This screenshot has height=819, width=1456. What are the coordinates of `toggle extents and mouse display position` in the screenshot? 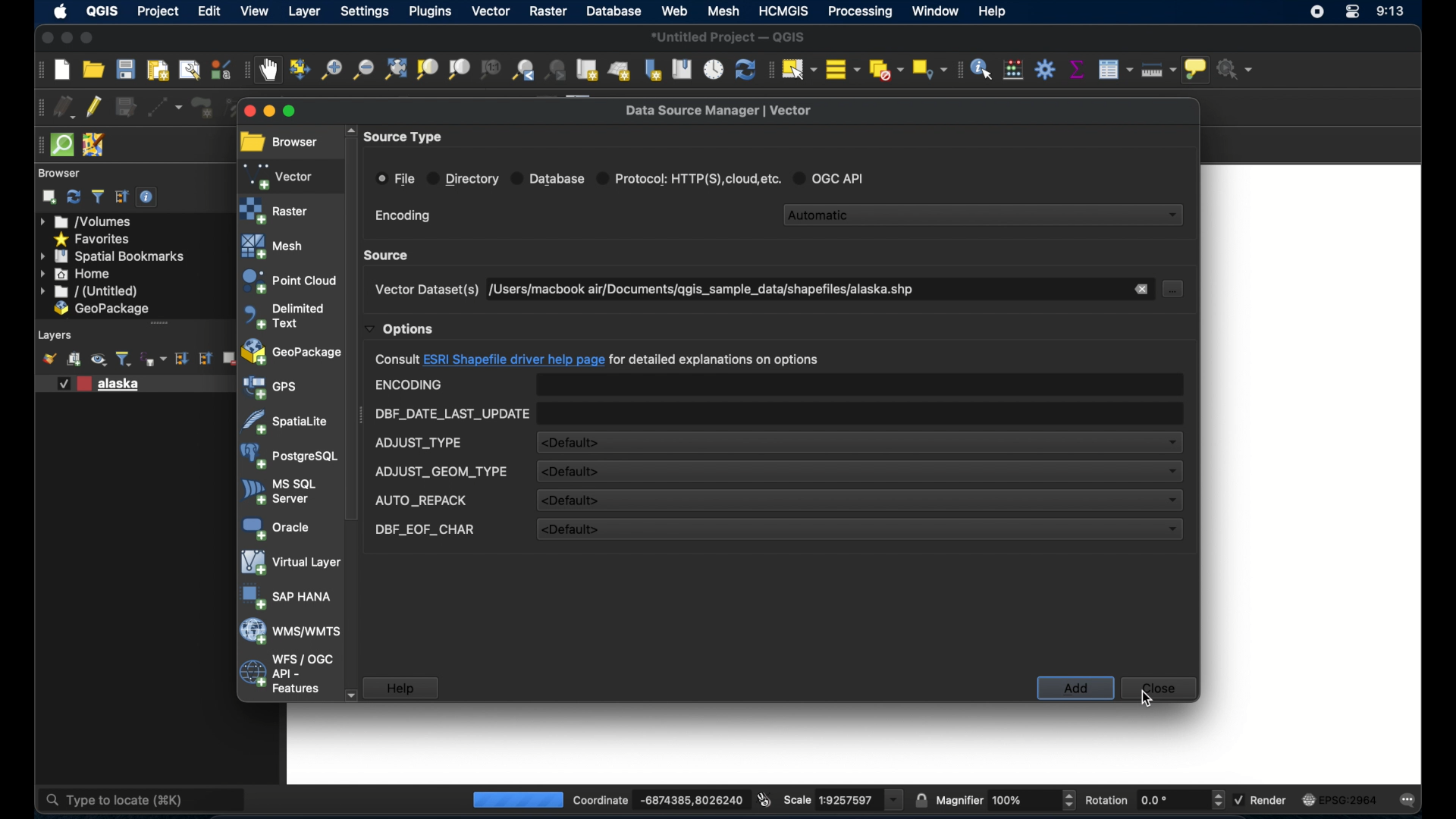 It's located at (764, 799).